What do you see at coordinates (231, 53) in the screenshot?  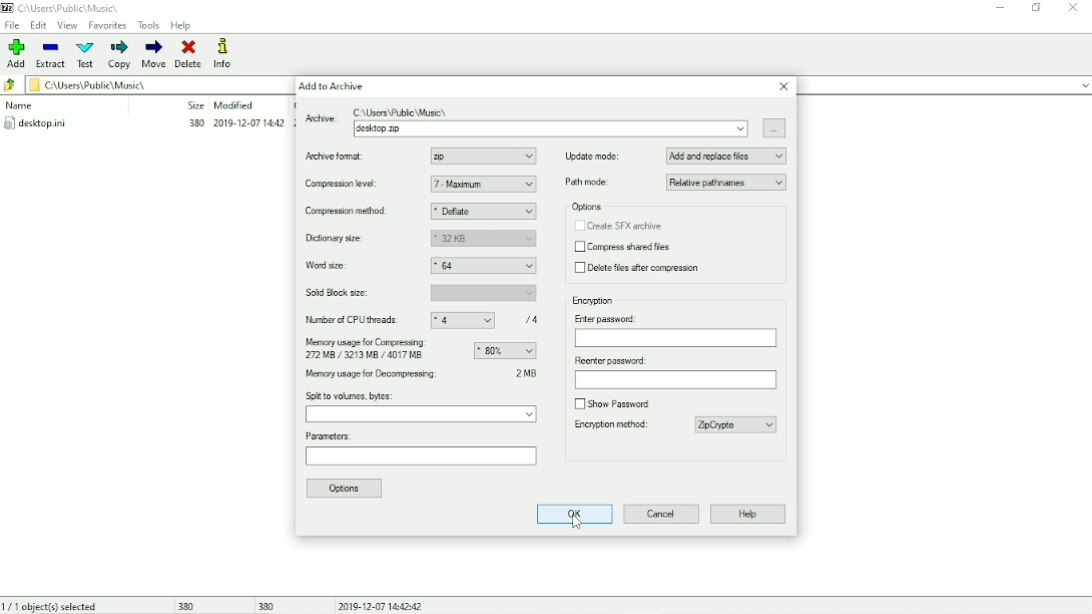 I see `Info` at bounding box center [231, 53].